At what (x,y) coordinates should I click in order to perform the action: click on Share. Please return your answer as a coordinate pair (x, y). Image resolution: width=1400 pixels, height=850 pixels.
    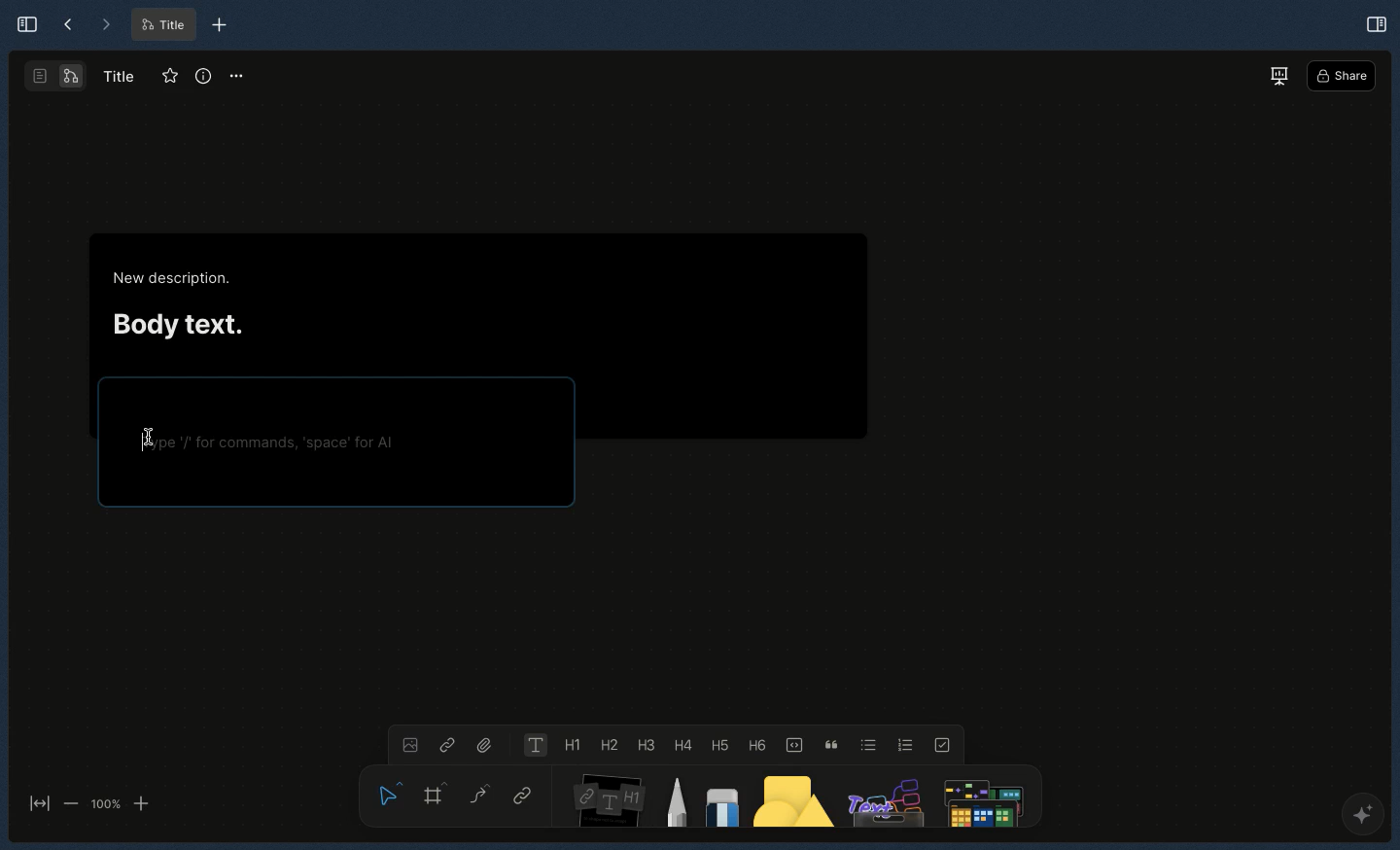
    Looking at the image, I should click on (1342, 77).